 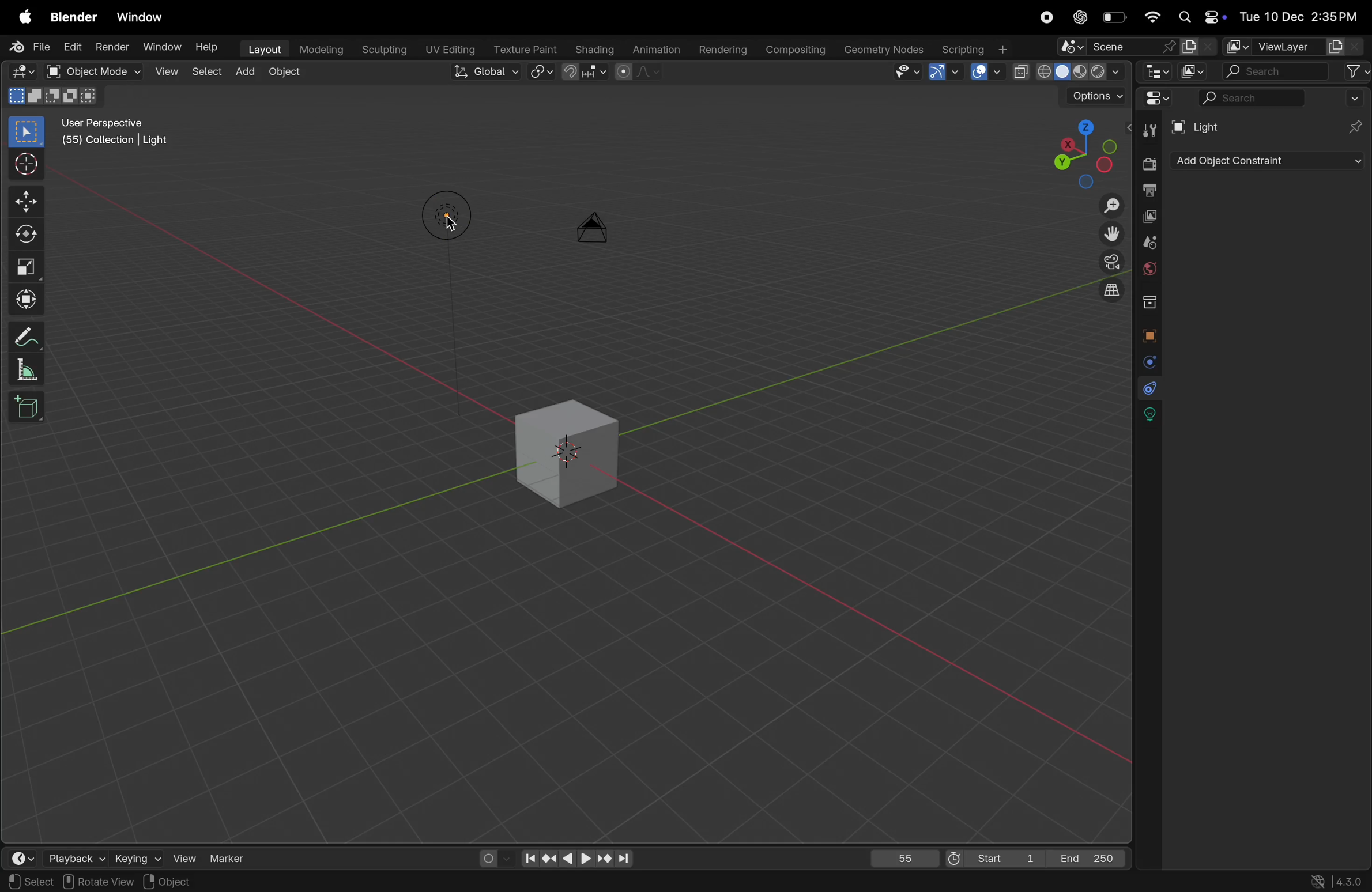 What do you see at coordinates (902, 856) in the screenshot?
I see `55` at bounding box center [902, 856].